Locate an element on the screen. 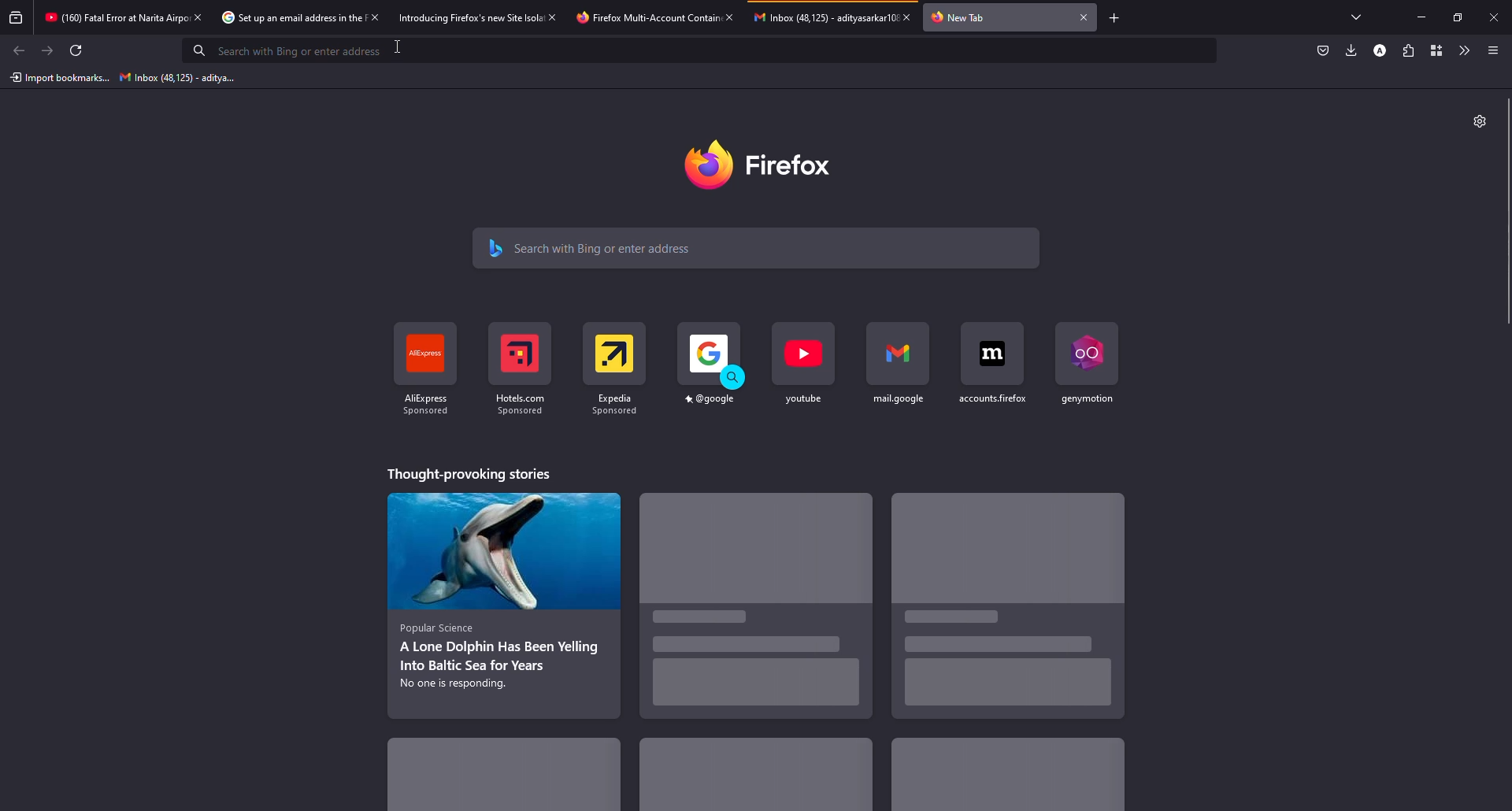 The width and height of the screenshot is (1512, 811). tab is located at coordinates (960, 18).